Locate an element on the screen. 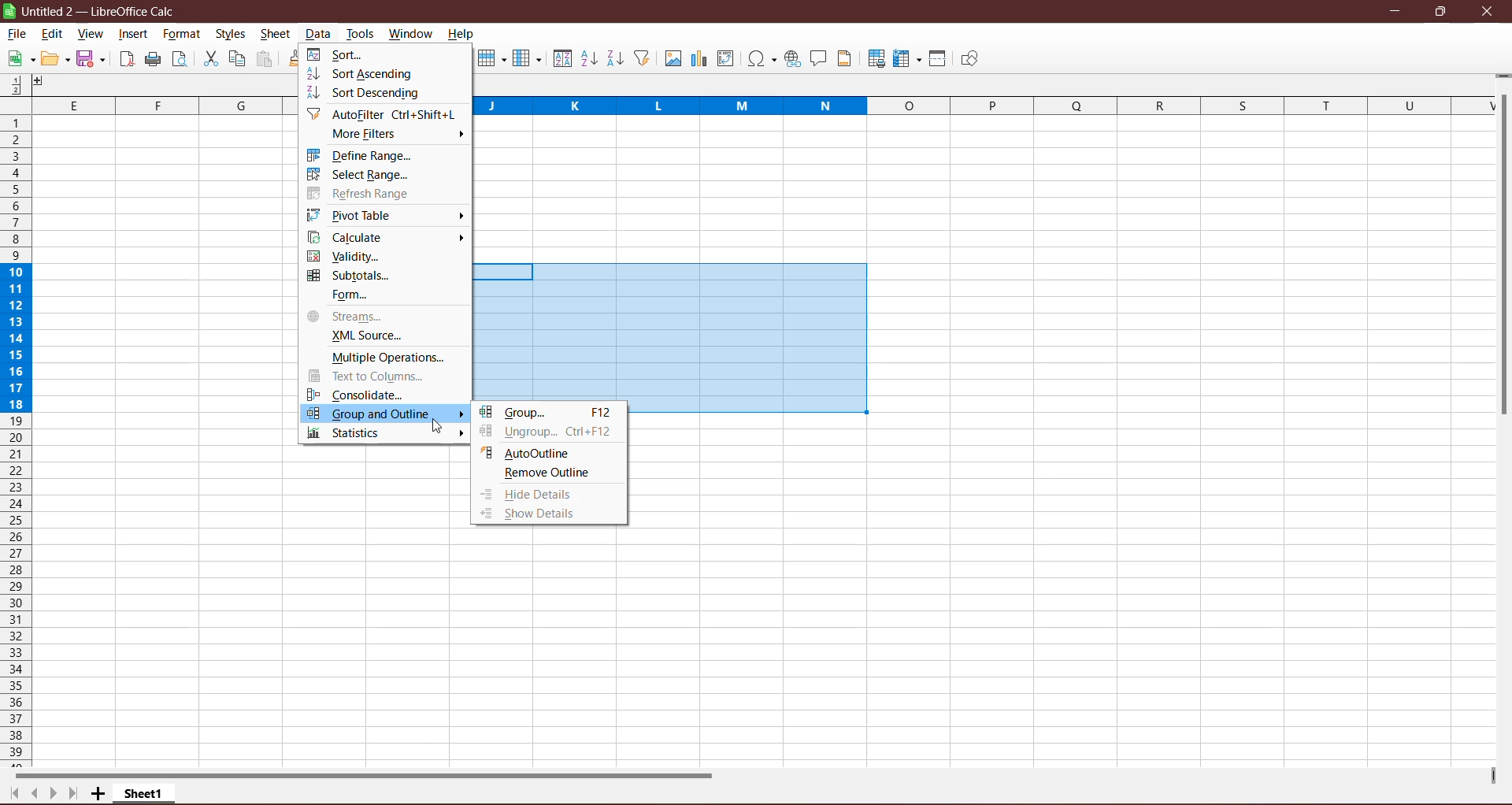 The height and width of the screenshot is (805, 1512). Save is located at coordinates (93, 60).